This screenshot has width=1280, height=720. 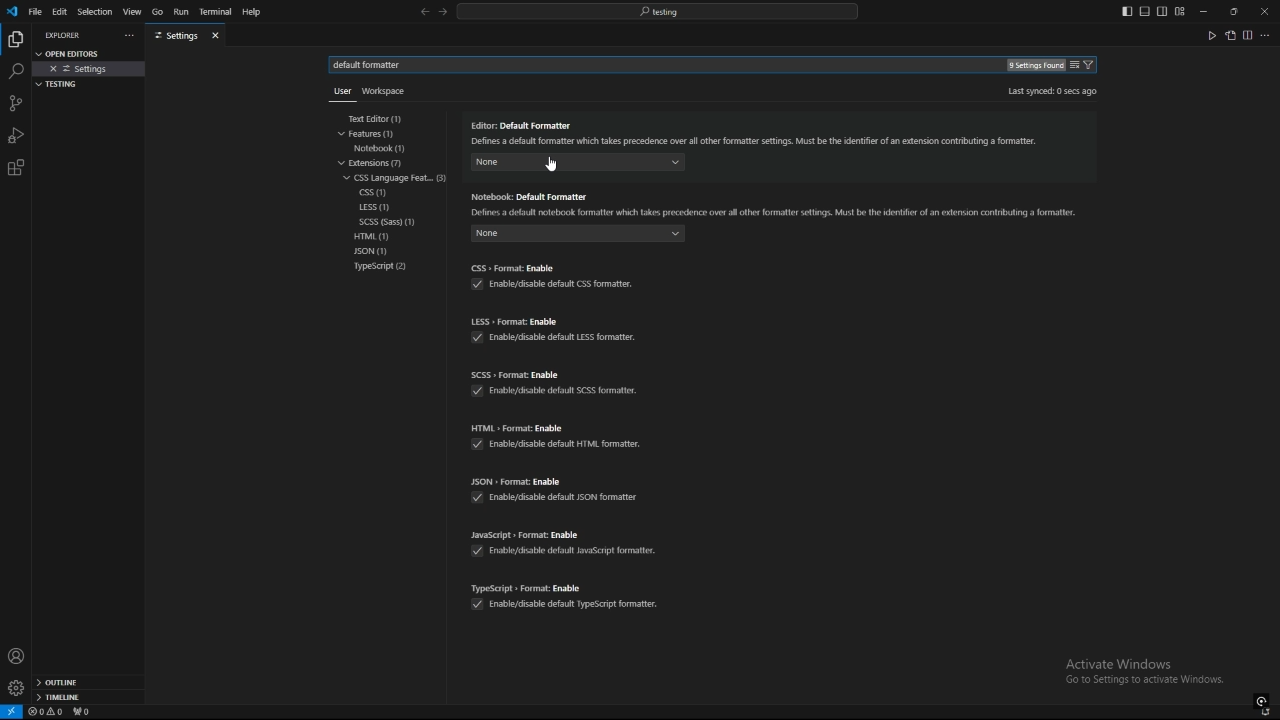 What do you see at coordinates (396, 222) in the screenshot?
I see `scss` at bounding box center [396, 222].